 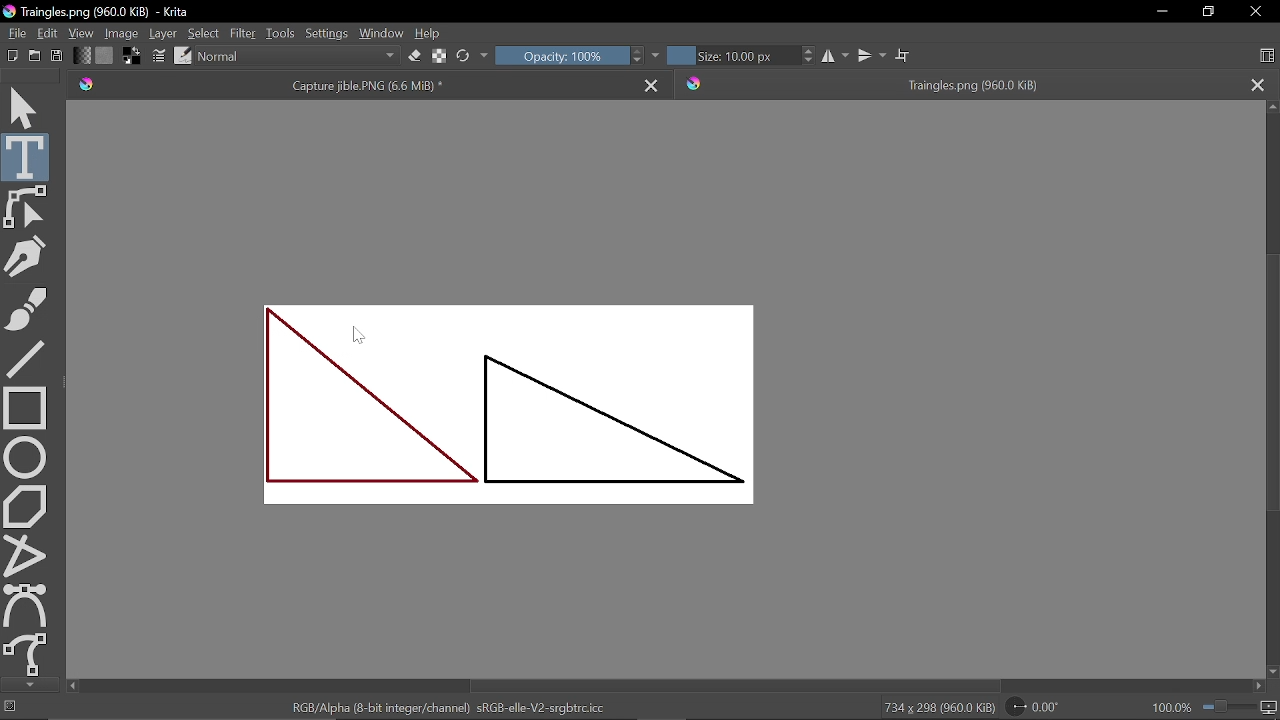 I want to click on Size, so click(x=730, y=55).